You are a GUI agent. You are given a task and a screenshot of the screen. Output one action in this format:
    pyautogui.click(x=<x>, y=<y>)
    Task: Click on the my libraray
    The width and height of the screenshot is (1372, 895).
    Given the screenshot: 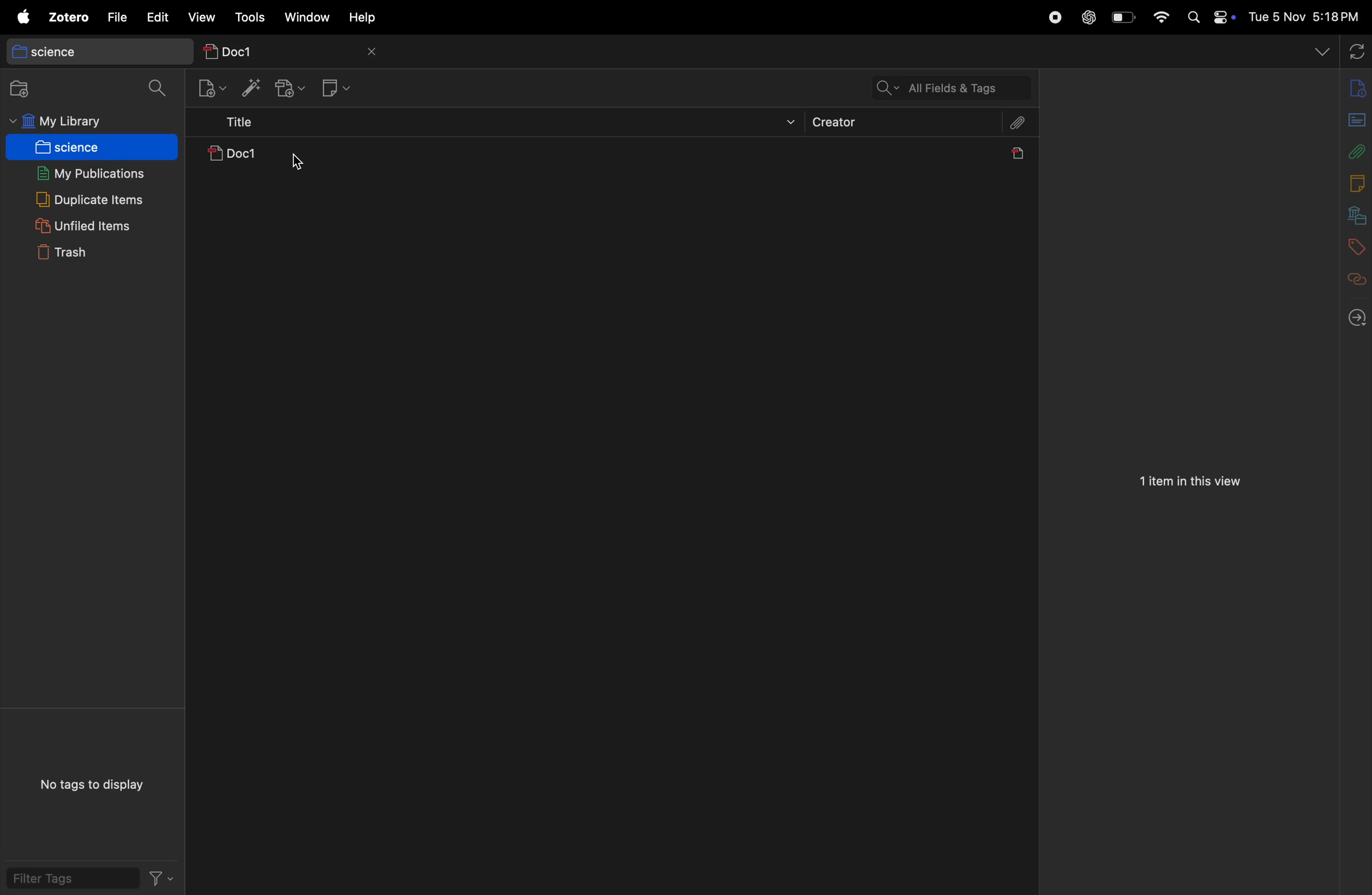 What is the action you would take?
    pyautogui.click(x=1351, y=212)
    